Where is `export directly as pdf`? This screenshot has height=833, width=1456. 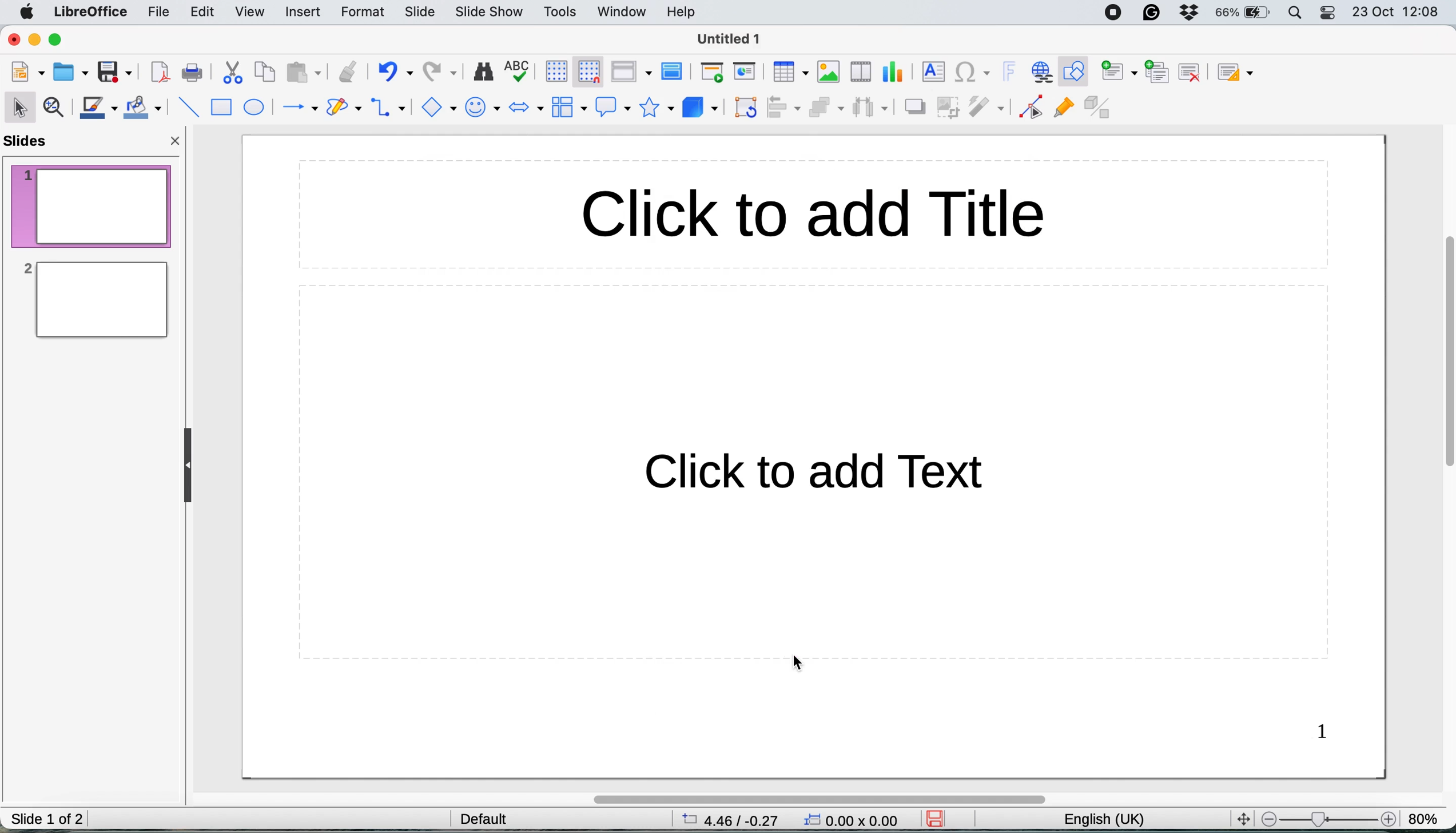 export directly as pdf is located at coordinates (160, 74).